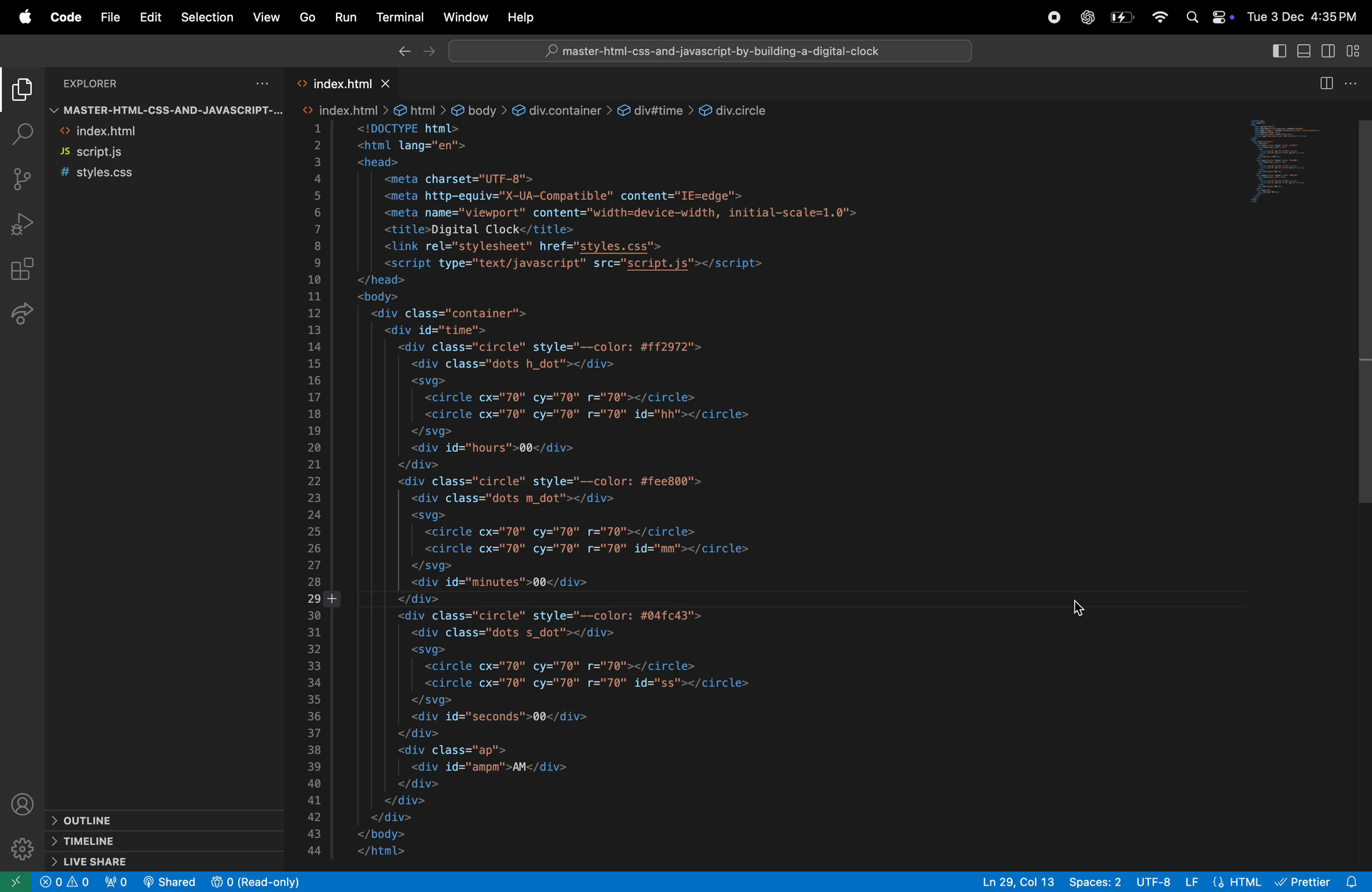 The height and width of the screenshot is (892, 1372). What do you see at coordinates (65, 882) in the screenshot?
I see `no problem` at bounding box center [65, 882].